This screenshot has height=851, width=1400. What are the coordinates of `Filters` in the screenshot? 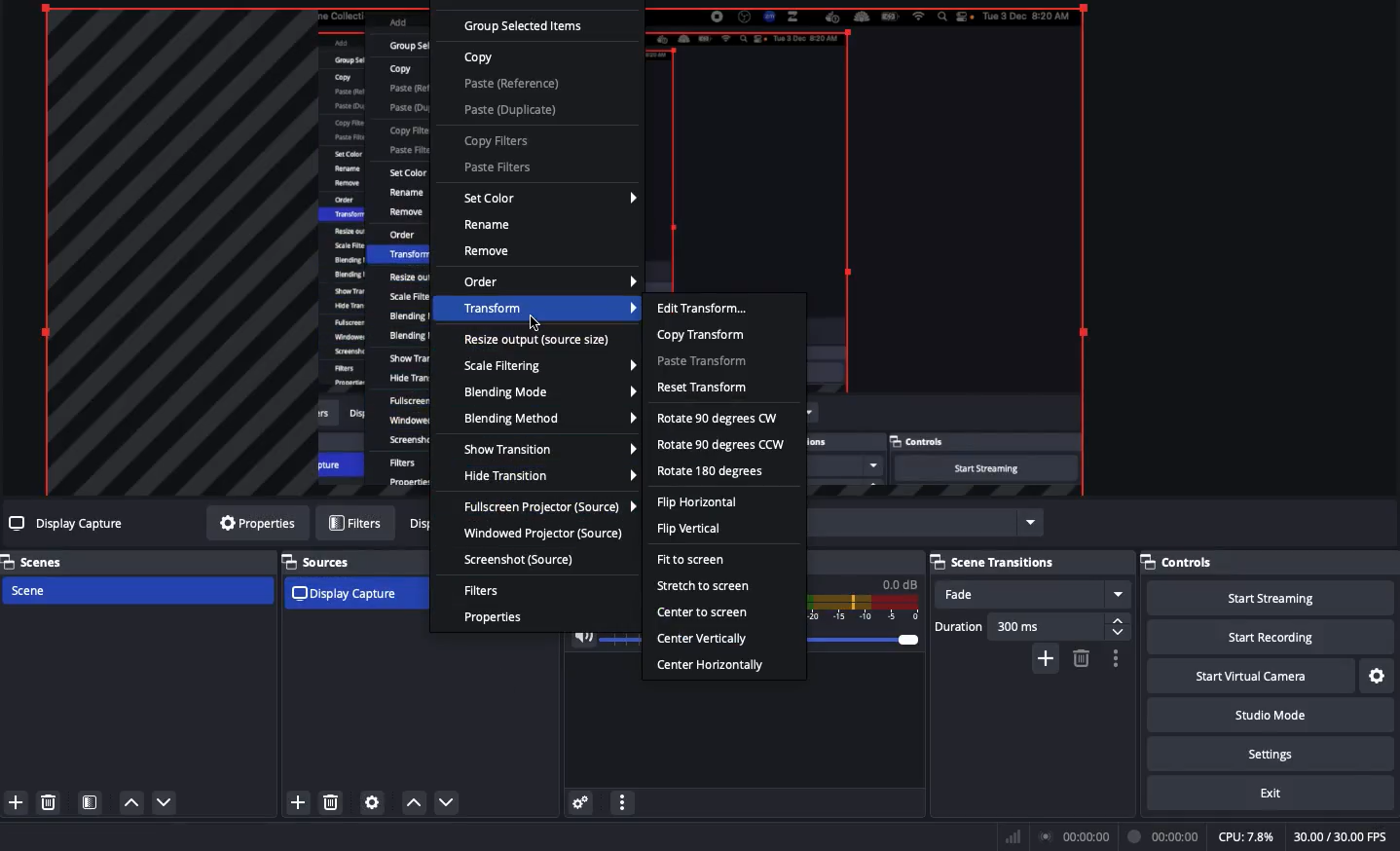 It's located at (354, 522).